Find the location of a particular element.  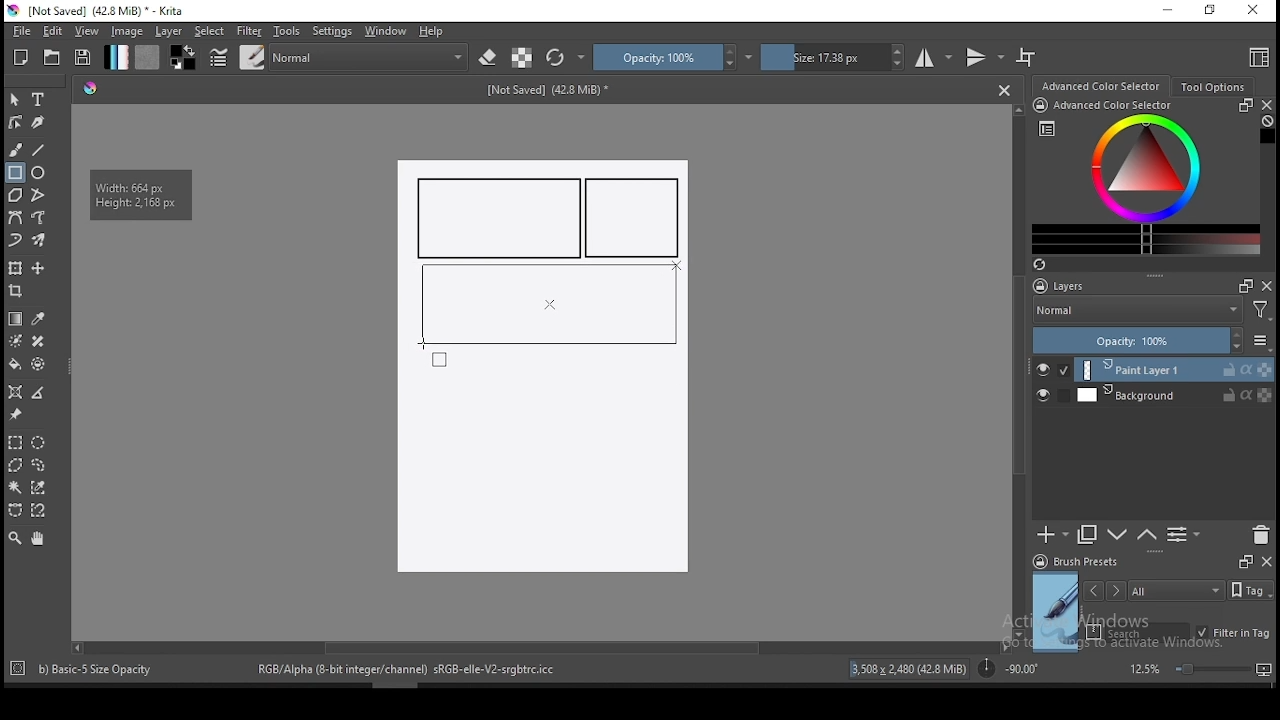

close docker is located at coordinates (1267, 285).